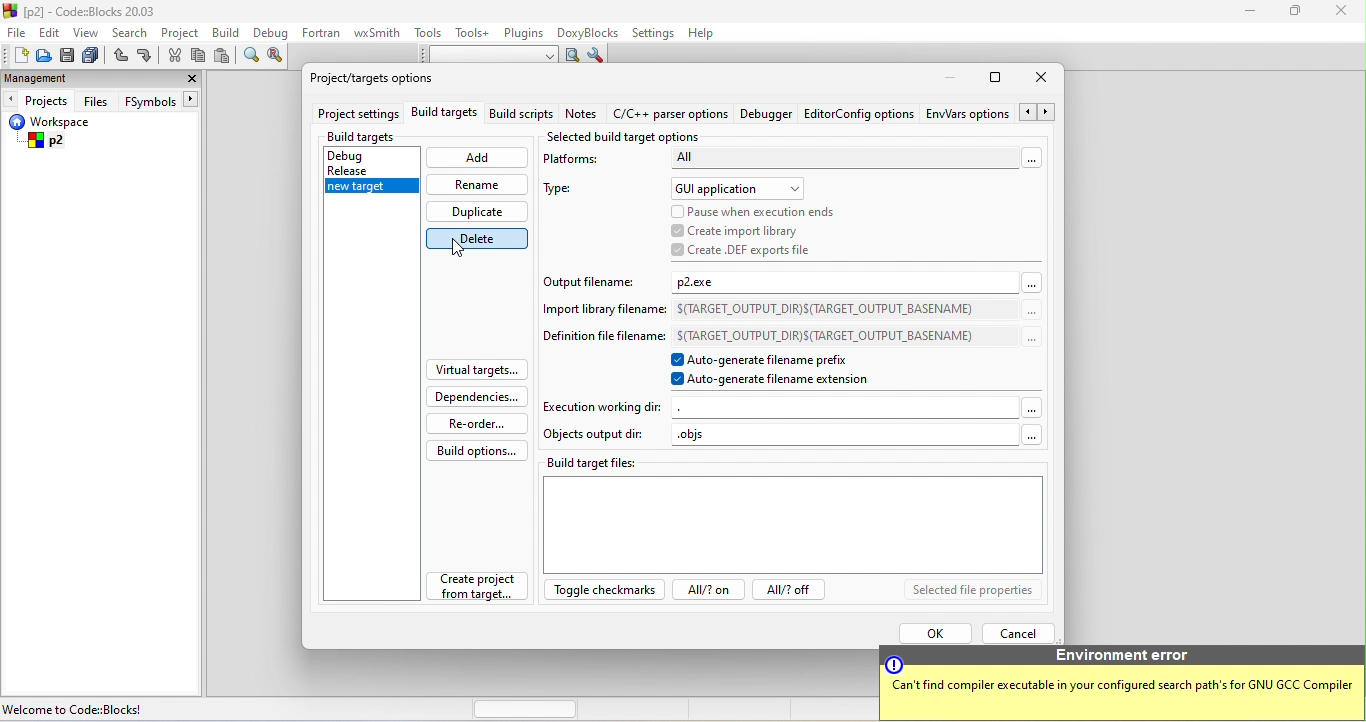 This screenshot has height=722, width=1366. Describe the element at coordinates (989, 115) in the screenshot. I see `env option` at that location.